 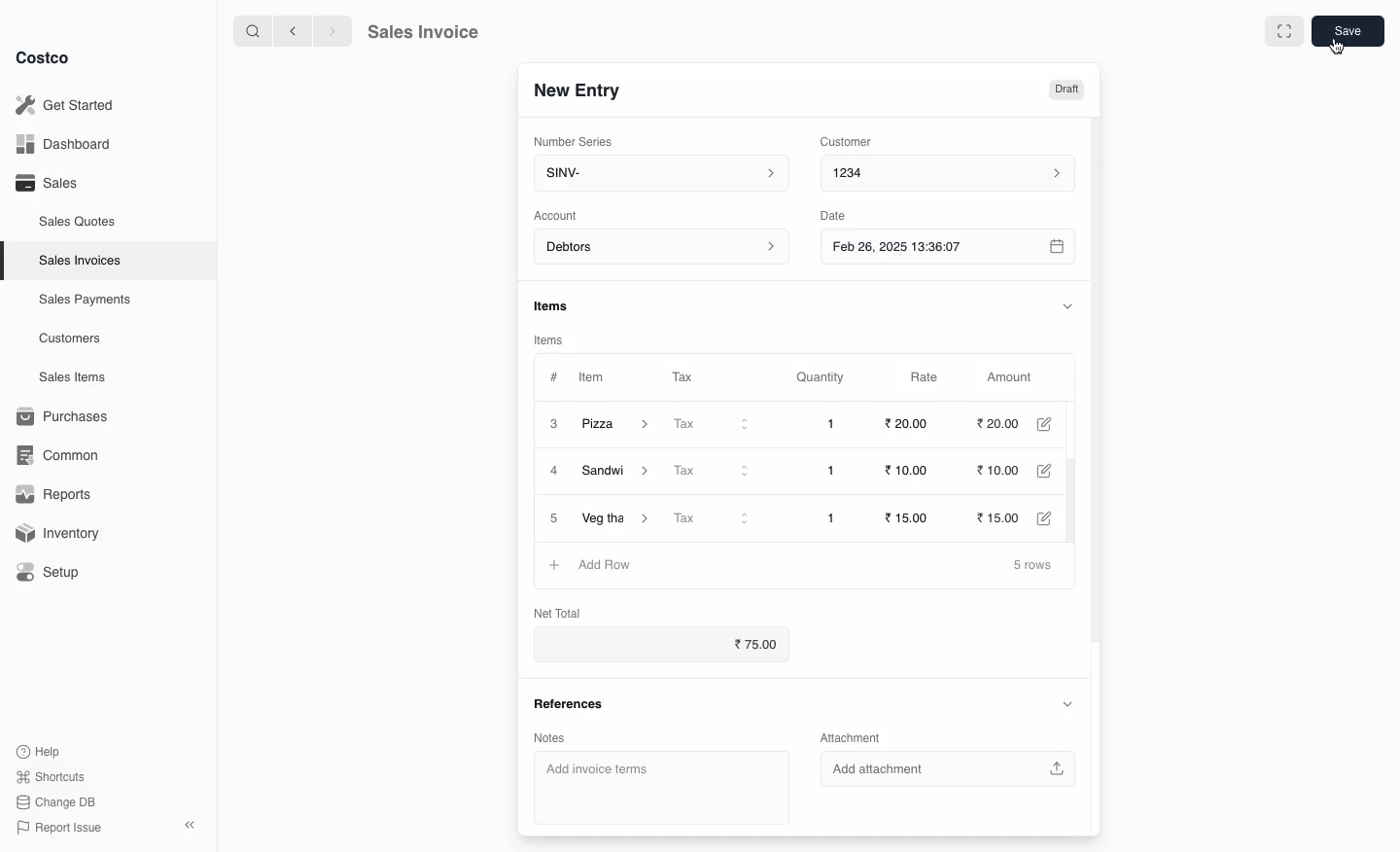 I want to click on Edit, so click(x=1056, y=472).